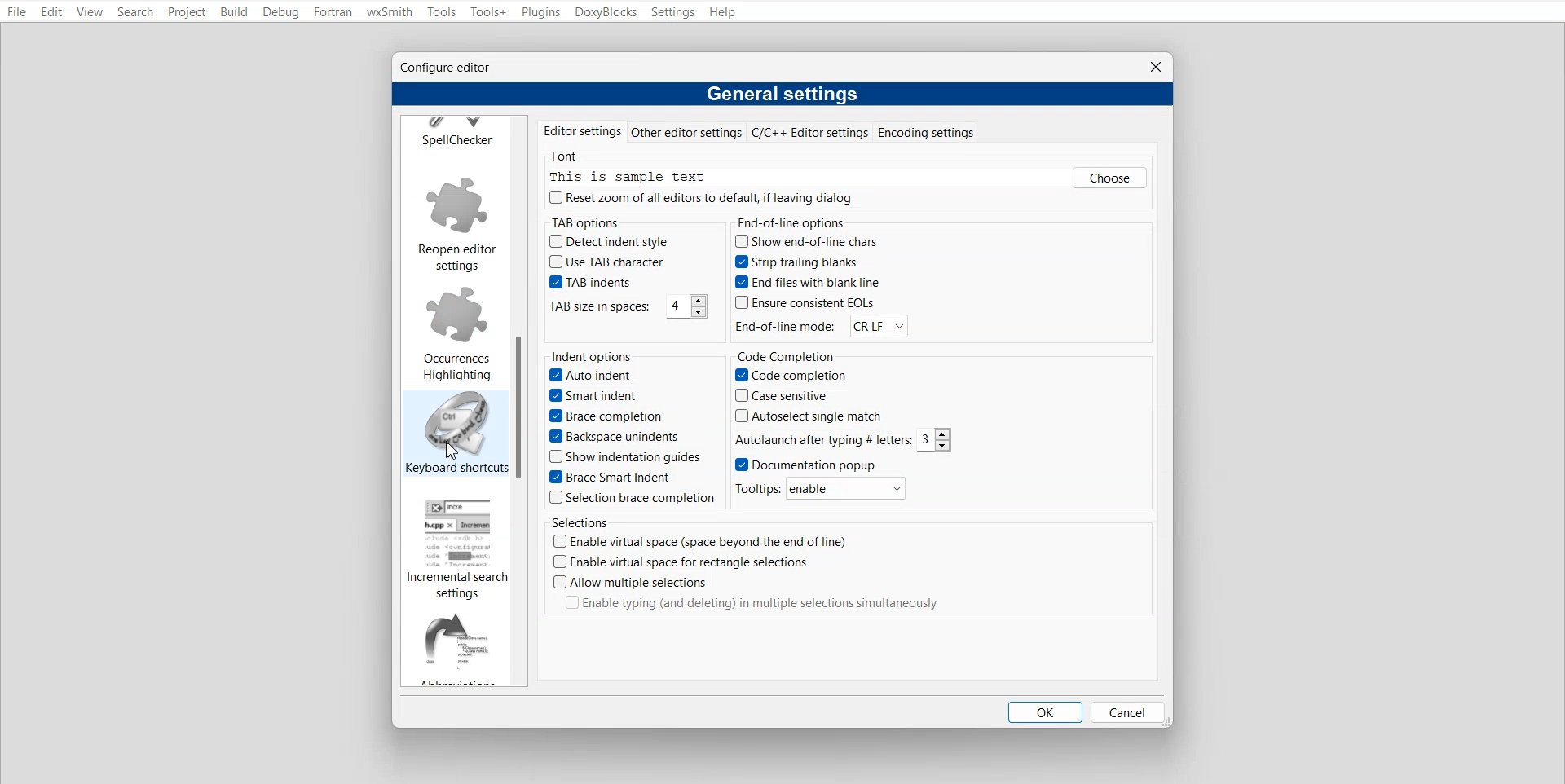 The image size is (1565, 784). I want to click on This is sample text, so click(633, 176).